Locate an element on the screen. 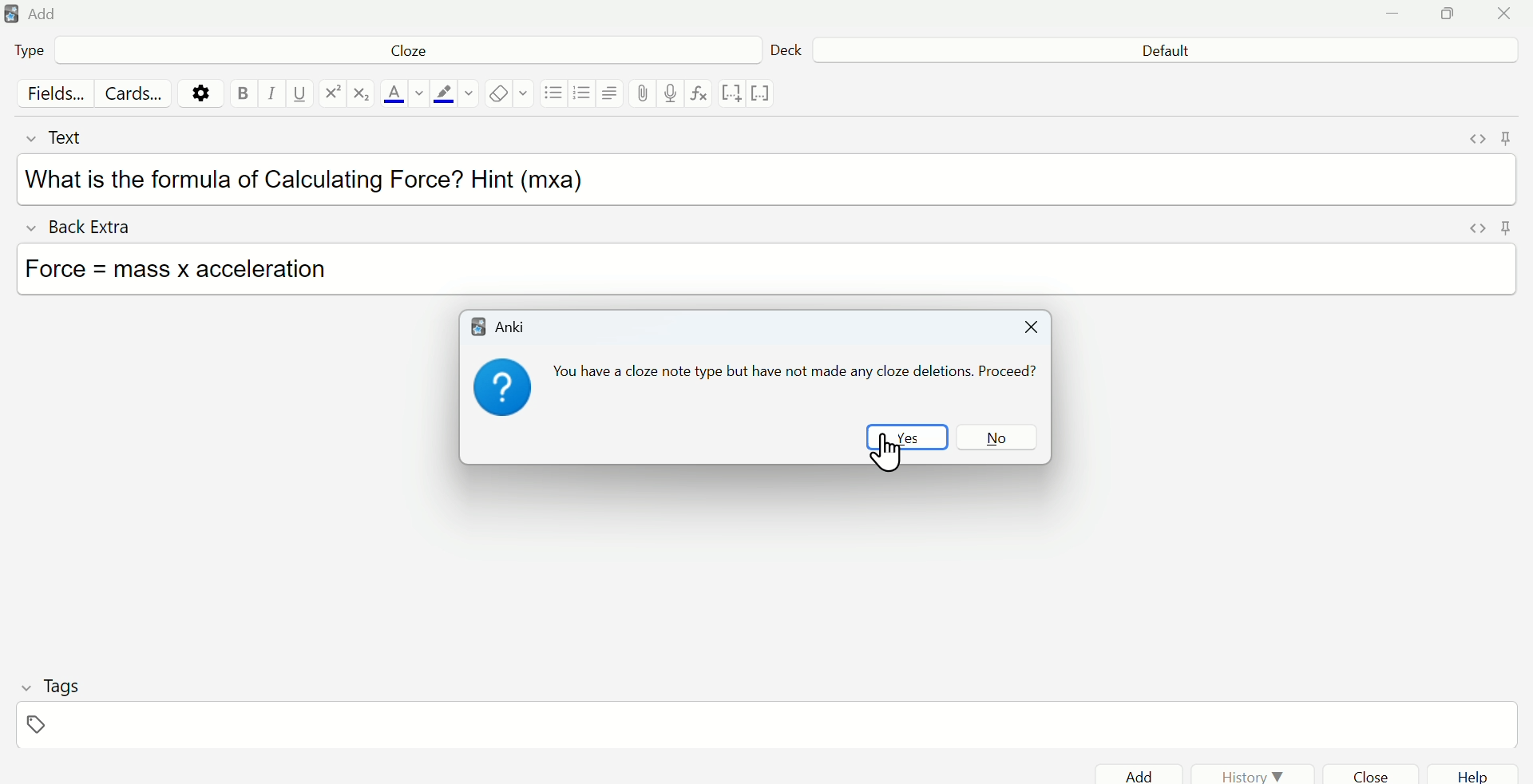 The width and height of the screenshot is (1533, 784). Close is located at coordinates (1030, 327).